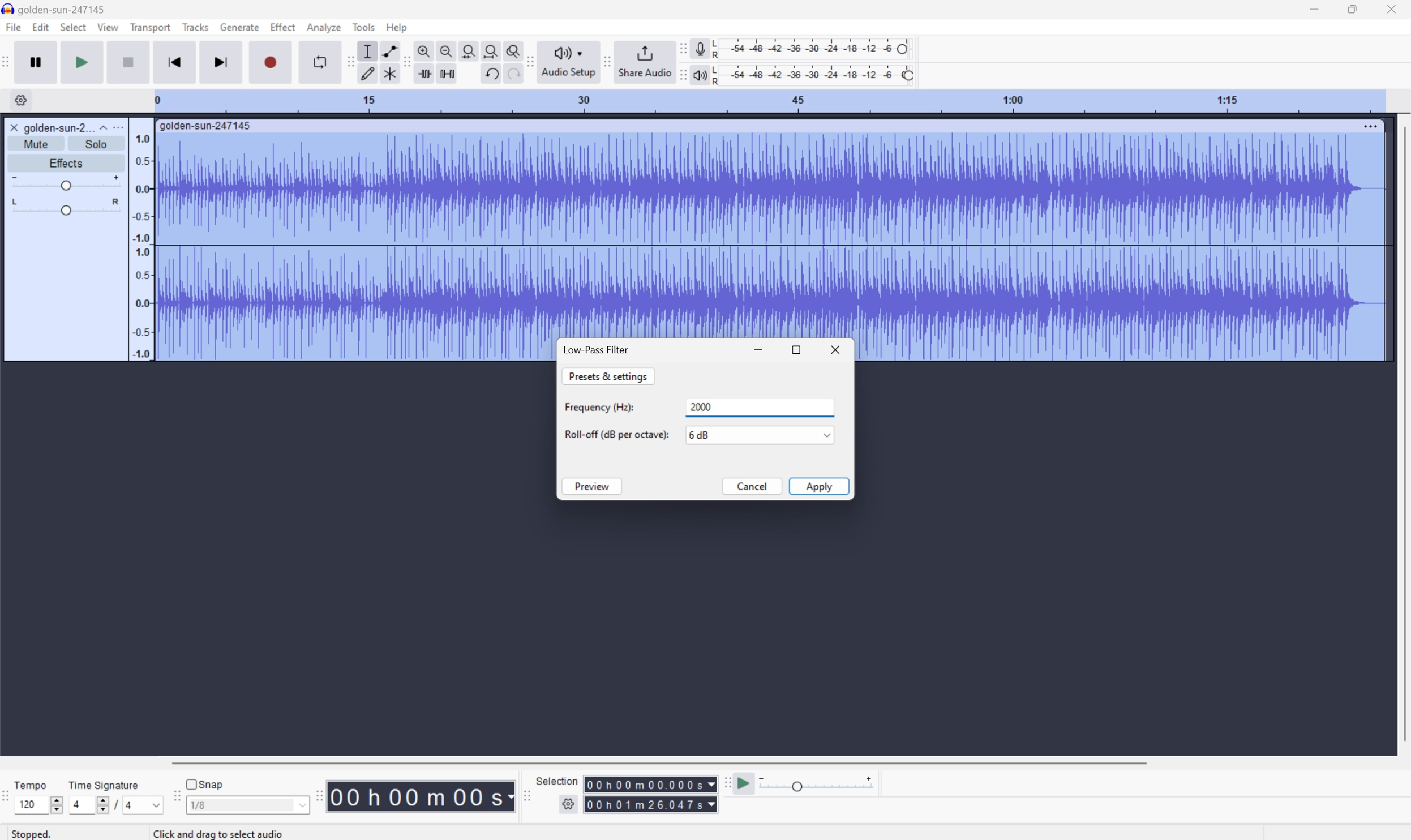 This screenshot has width=1411, height=840. I want to click on View, so click(109, 27).